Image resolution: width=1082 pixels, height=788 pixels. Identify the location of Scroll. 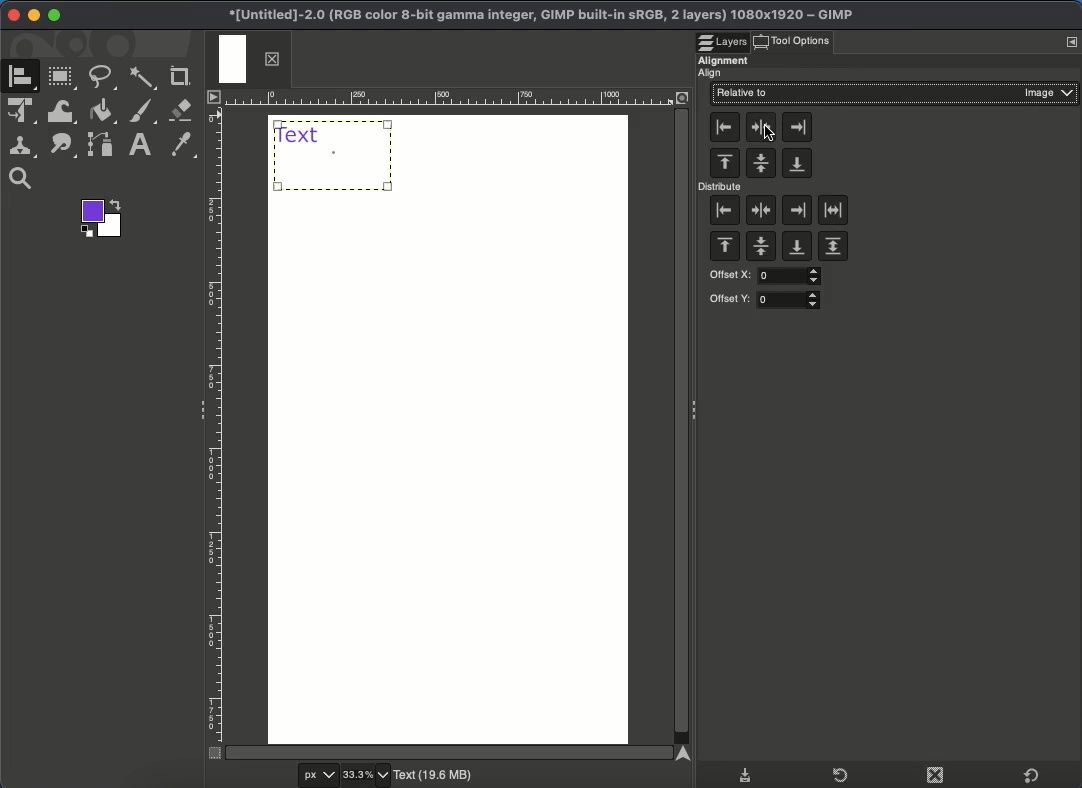
(453, 751).